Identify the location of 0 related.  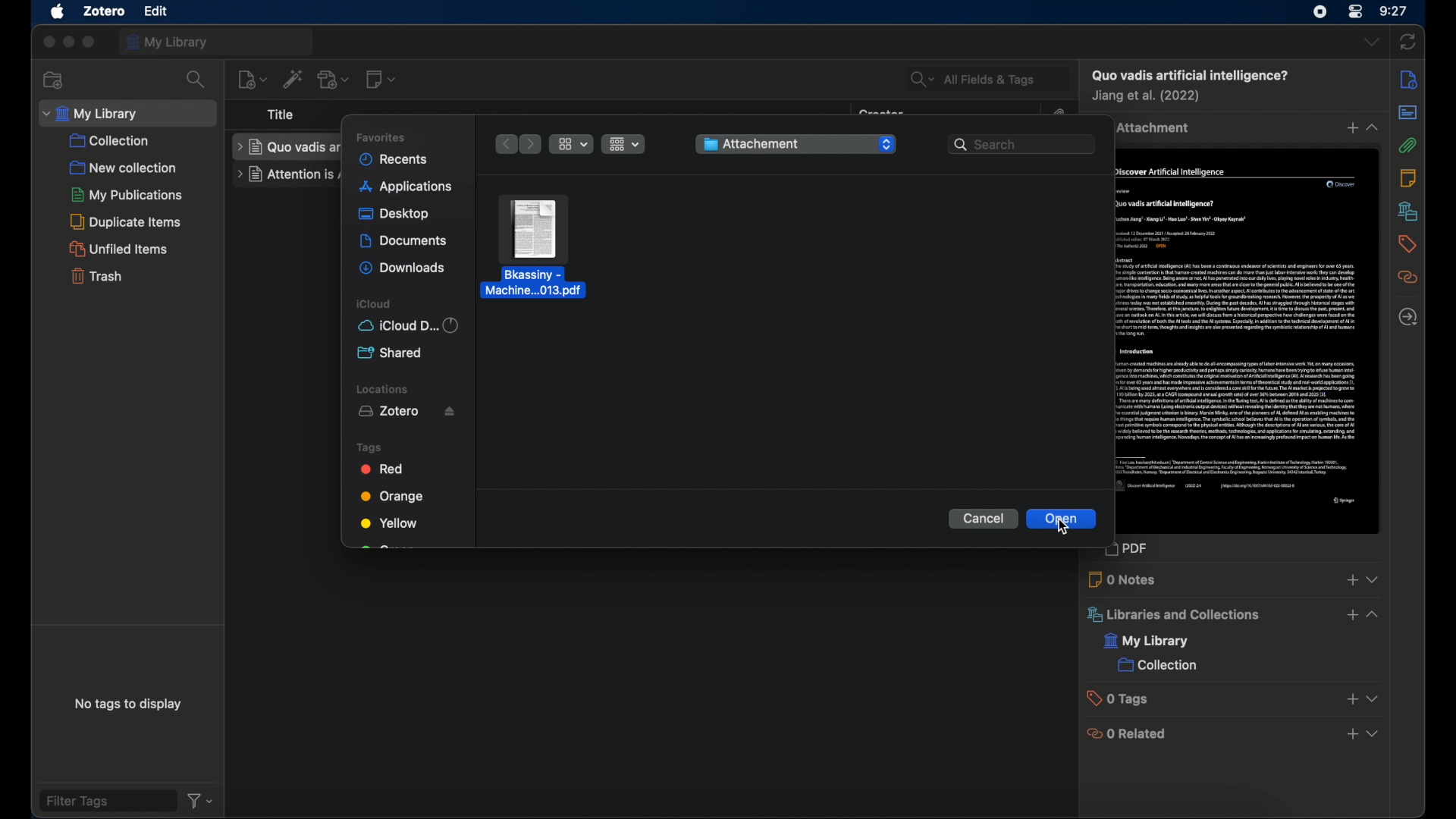
(1128, 733).